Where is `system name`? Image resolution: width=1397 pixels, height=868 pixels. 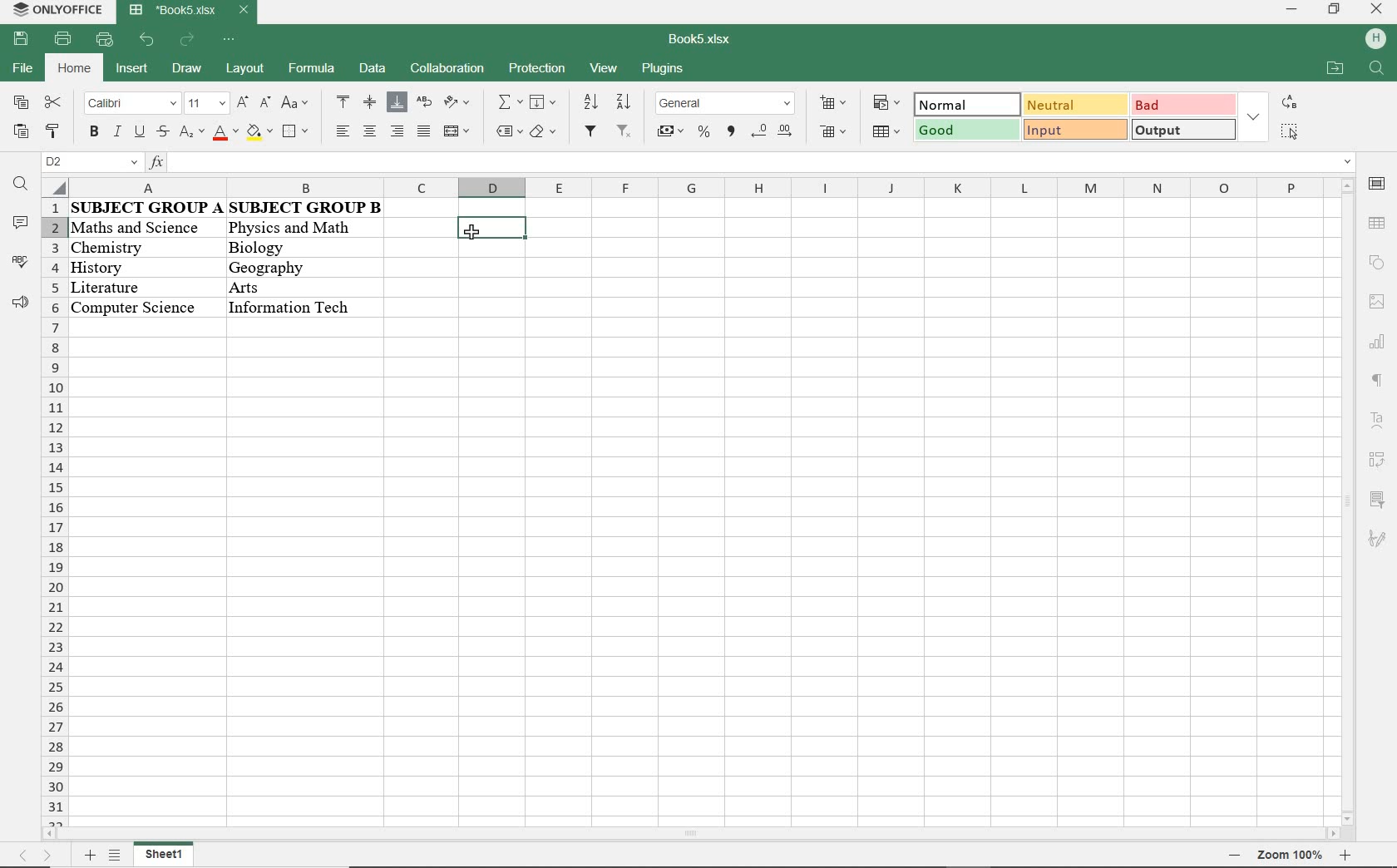
system name is located at coordinates (55, 9).